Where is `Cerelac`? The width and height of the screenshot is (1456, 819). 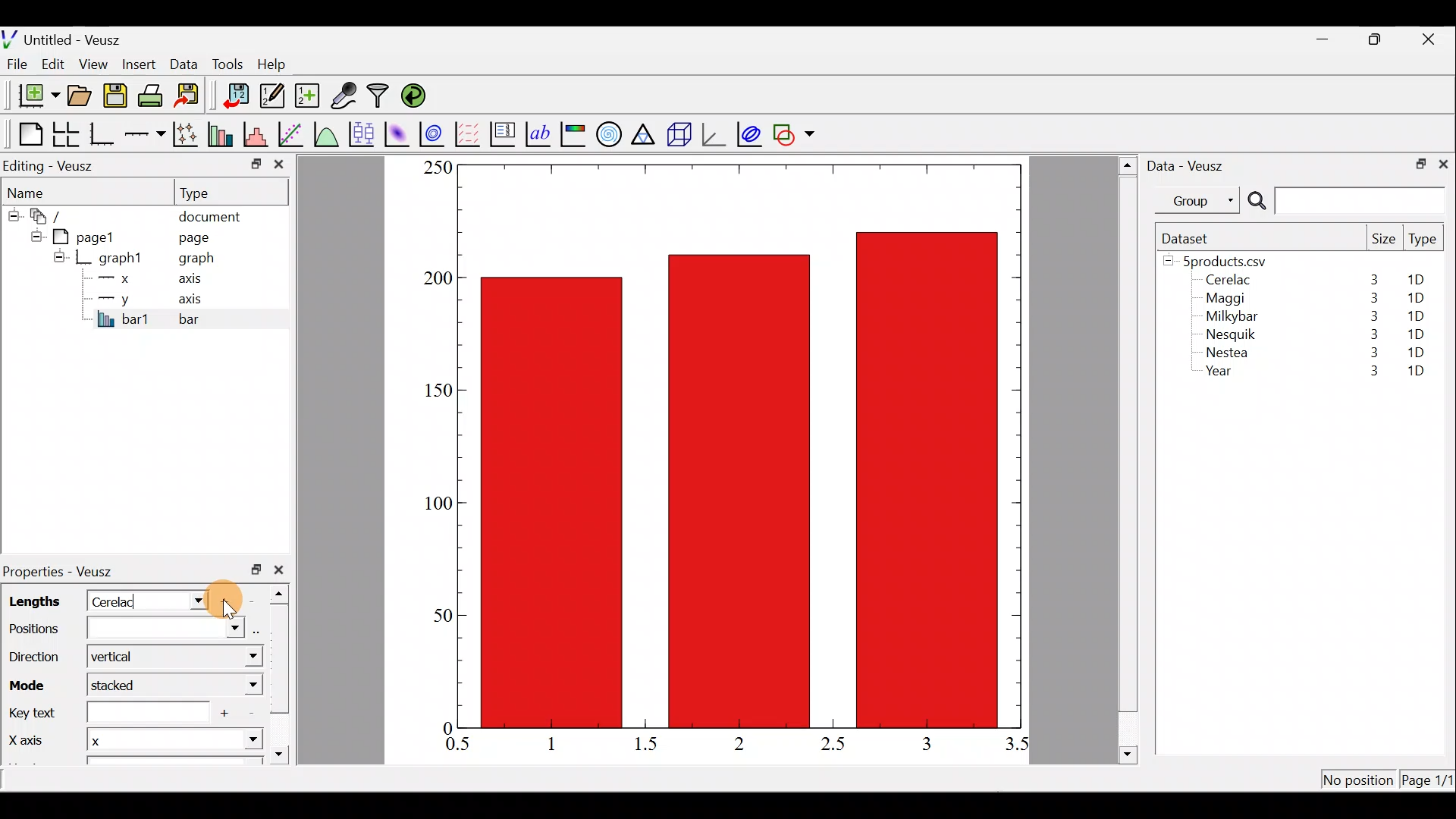 Cerelac is located at coordinates (1225, 281).